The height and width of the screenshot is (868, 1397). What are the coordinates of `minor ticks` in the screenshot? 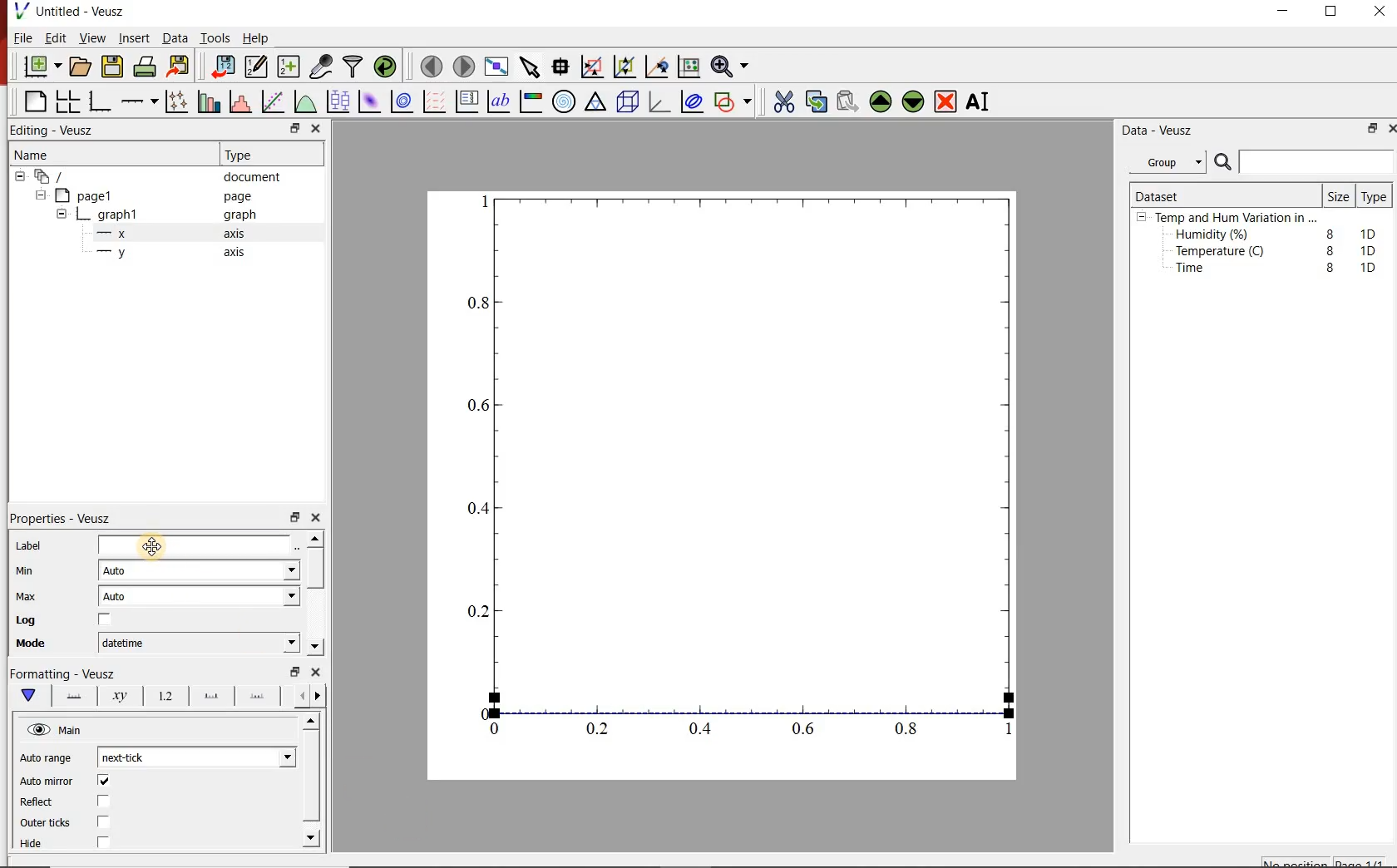 It's located at (259, 697).